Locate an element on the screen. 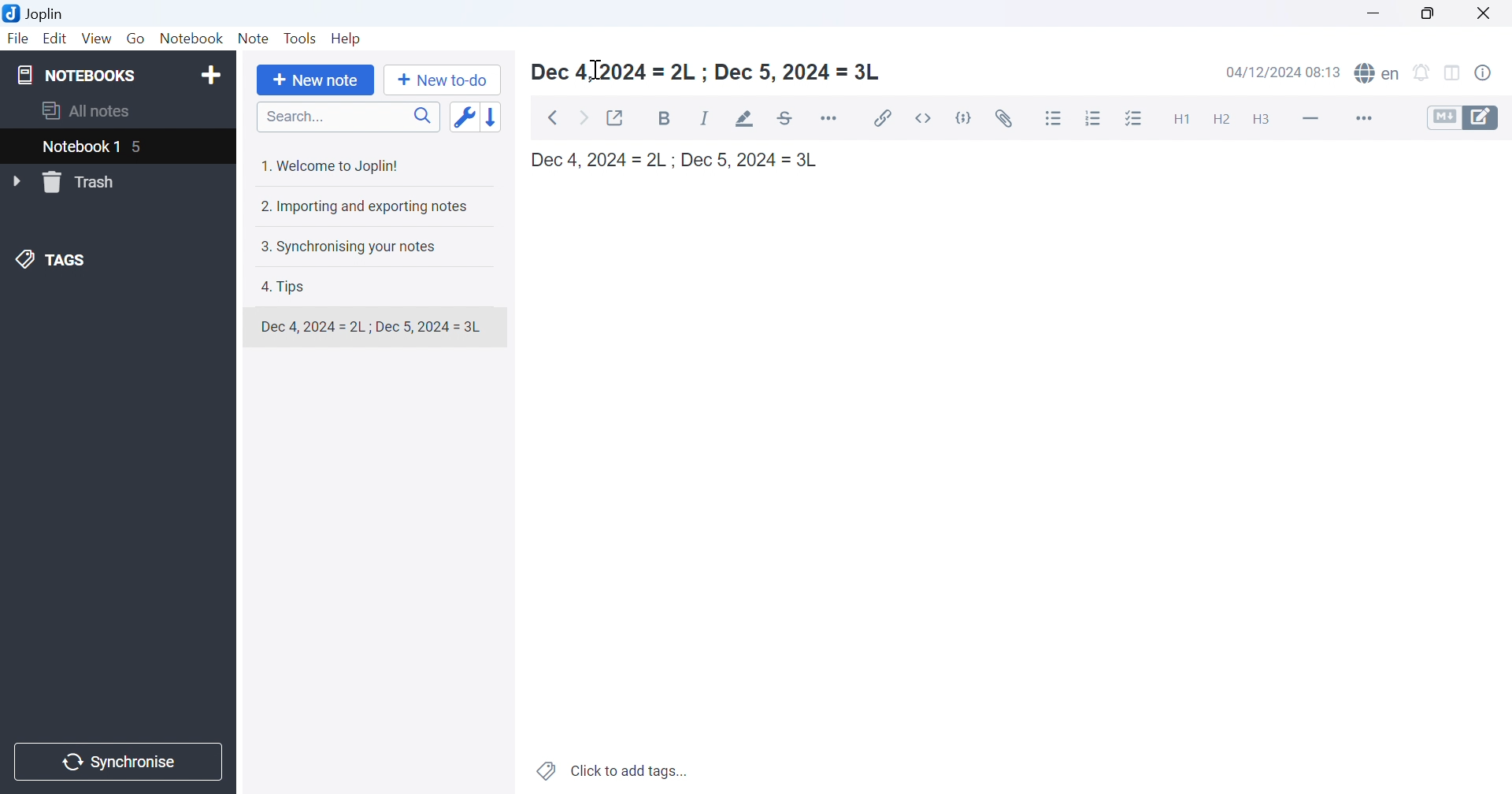  Numbered list is located at coordinates (1093, 119).